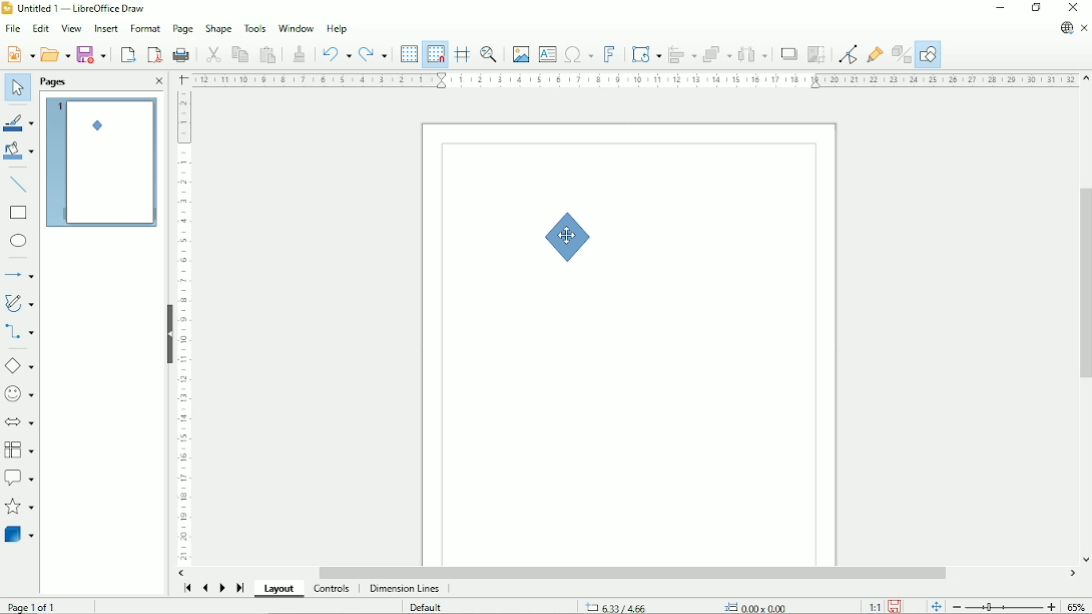 This screenshot has width=1092, height=614. Describe the element at coordinates (39, 28) in the screenshot. I see `Edit` at that location.